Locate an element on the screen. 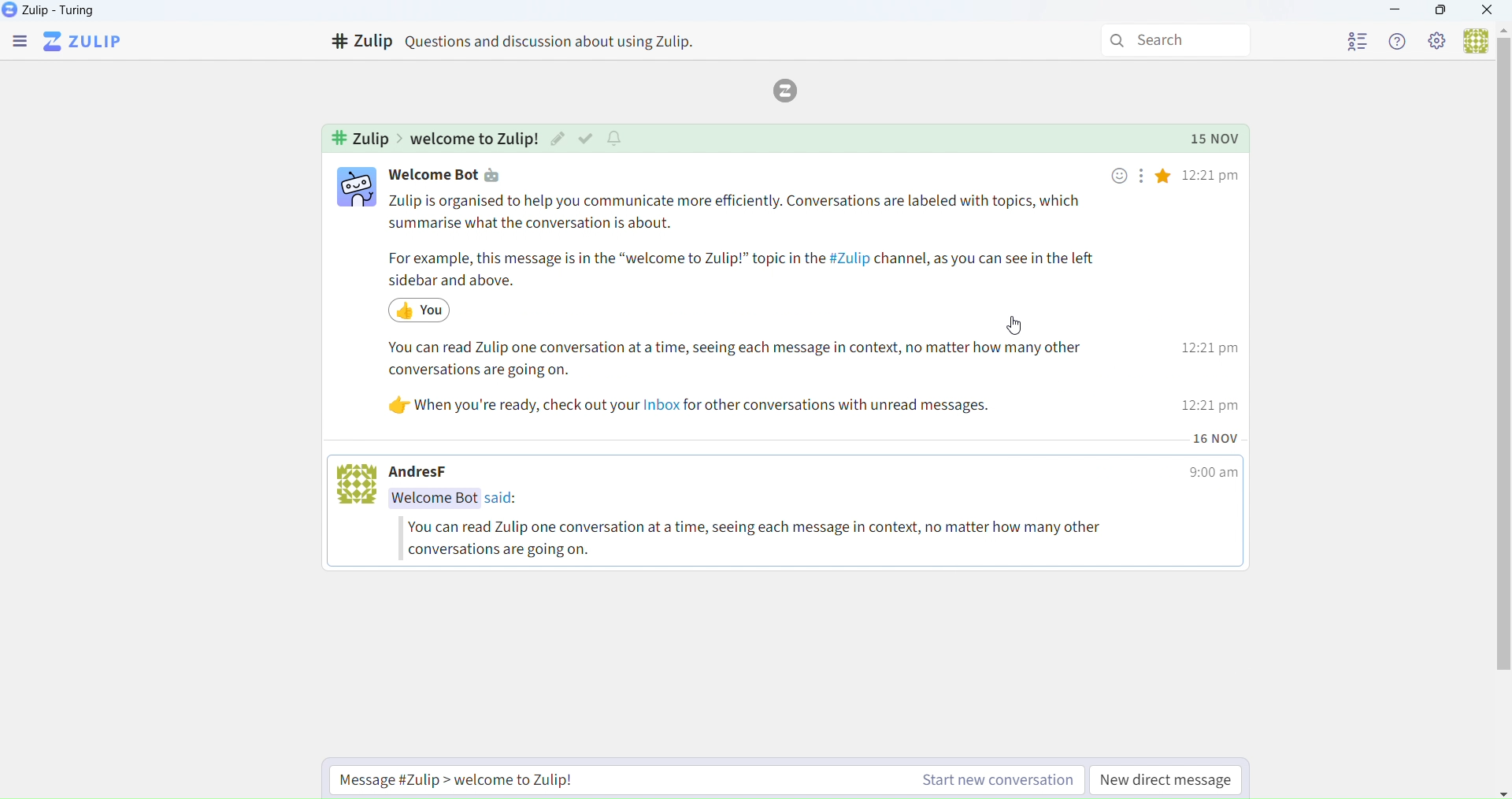 The image size is (1512, 799). user profile is located at coordinates (360, 483).